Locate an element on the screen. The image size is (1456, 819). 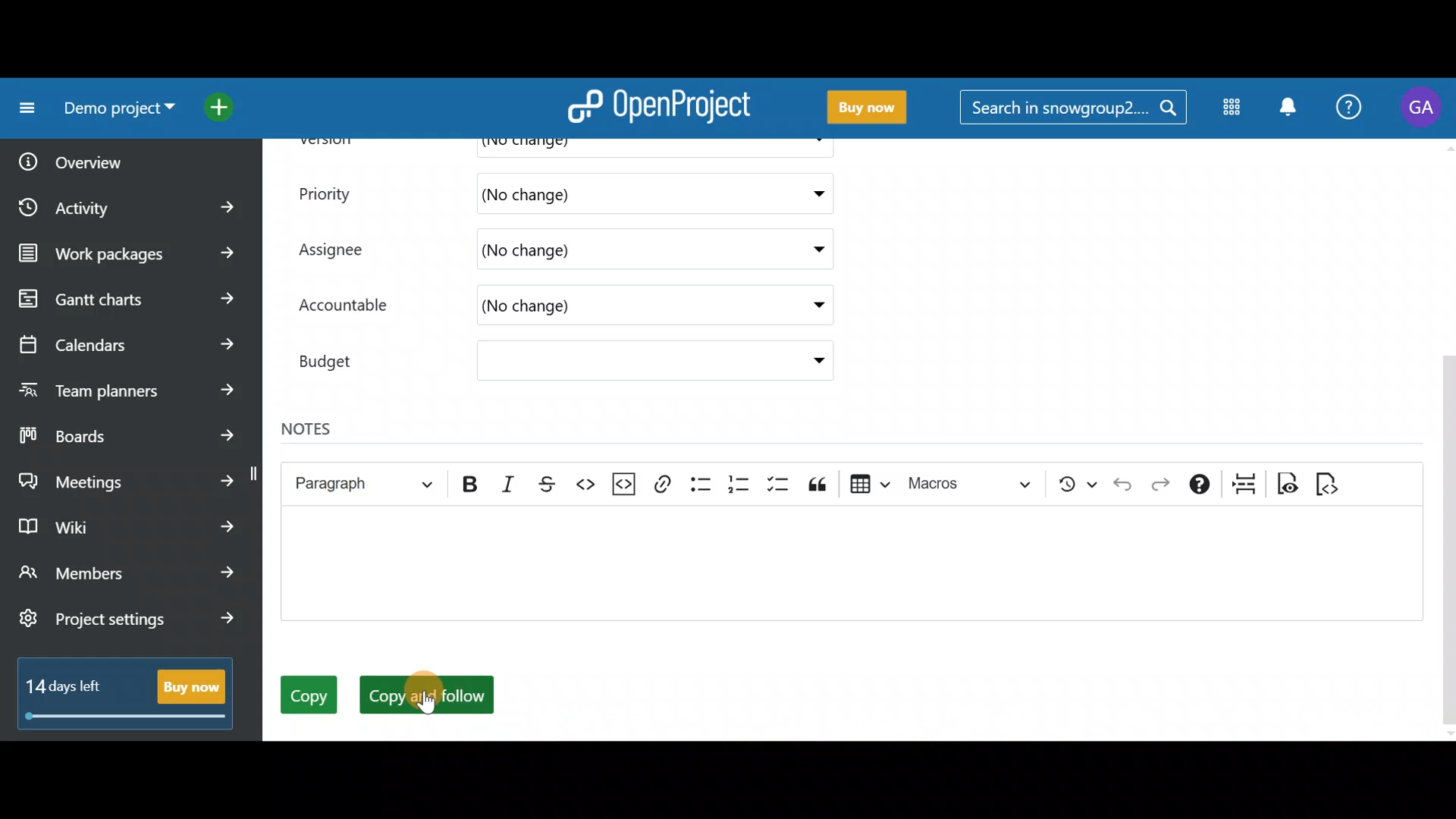
Scroll bar is located at coordinates (1447, 438).